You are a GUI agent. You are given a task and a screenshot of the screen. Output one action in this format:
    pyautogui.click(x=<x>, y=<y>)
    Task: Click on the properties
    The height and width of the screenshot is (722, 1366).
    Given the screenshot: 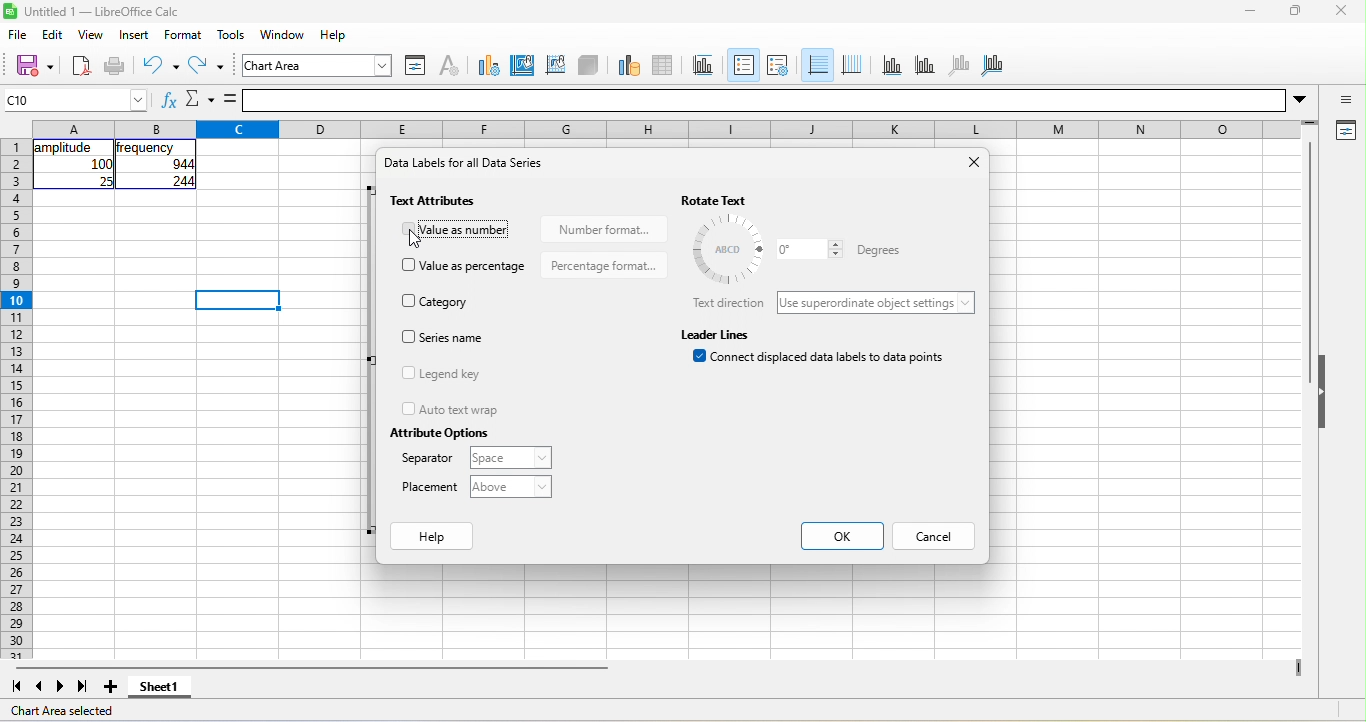 What is the action you would take?
    pyautogui.click(x=1344, y=132)
    